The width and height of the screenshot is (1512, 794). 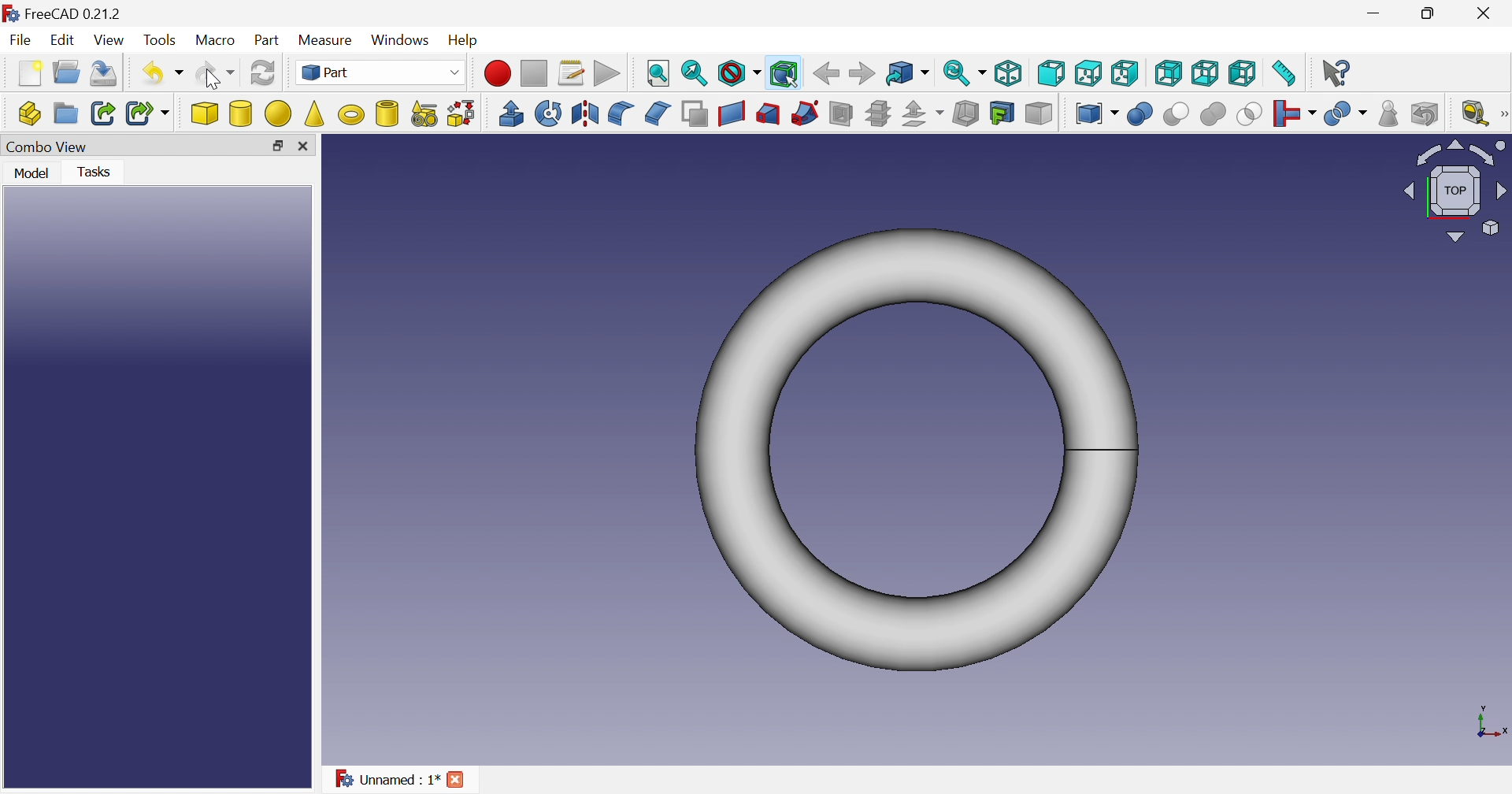 What do you see at coordinates (1051, 73) in the screenshot?
I see `Front` at bounding box center [1051, 73].